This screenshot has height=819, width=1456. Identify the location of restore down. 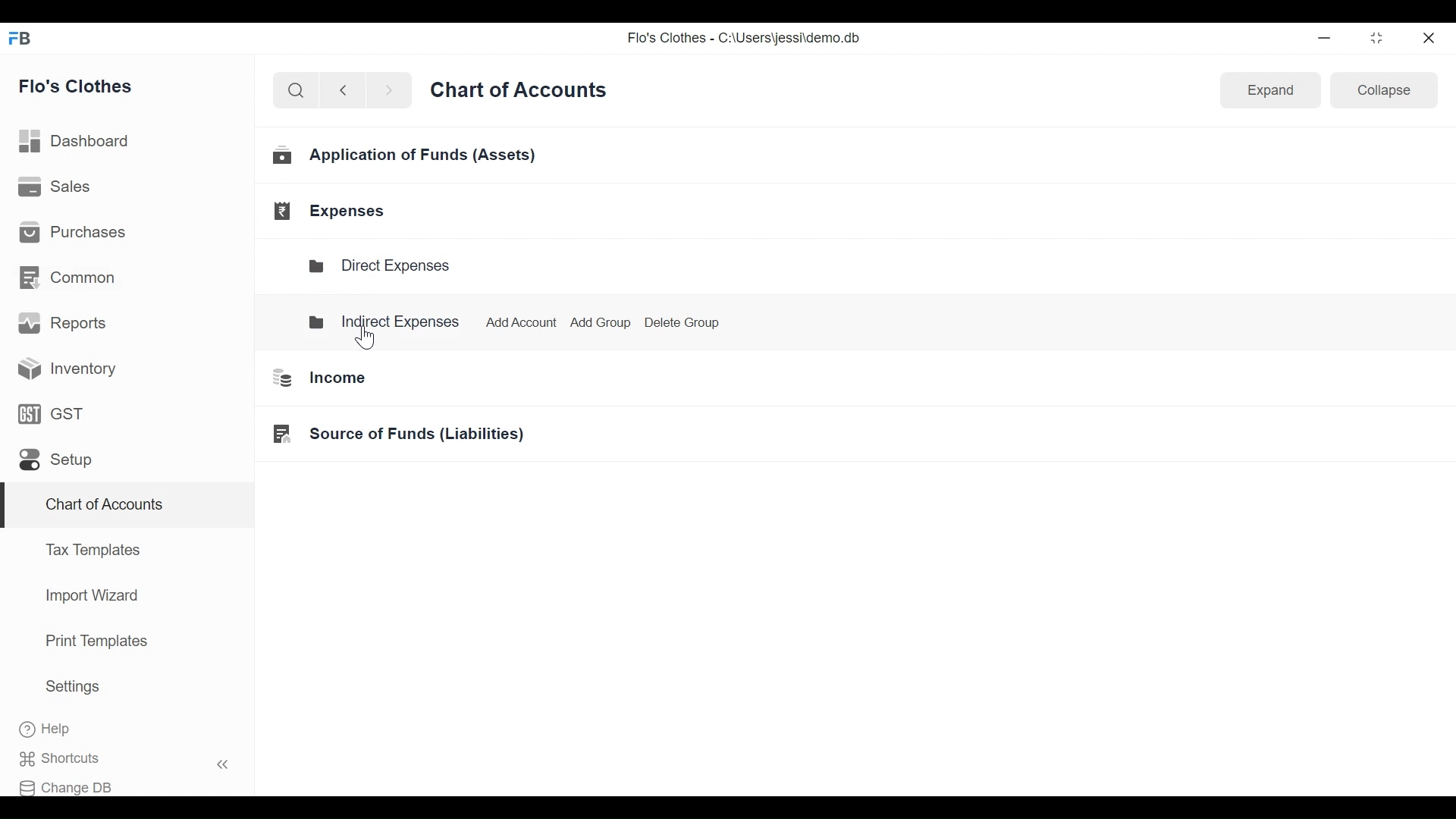
(1375, 39).